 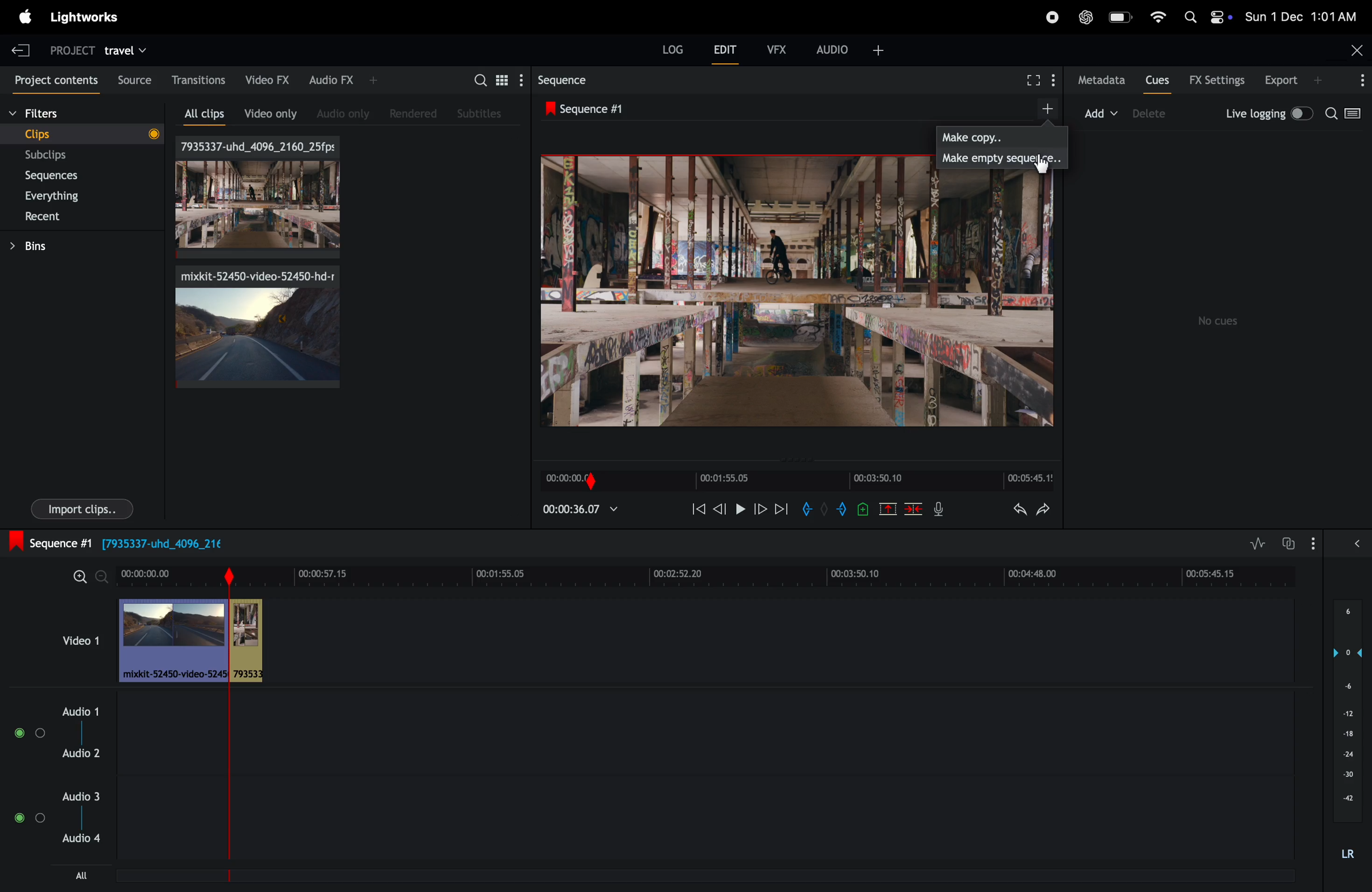 What do you see at coordinates (1158, 80) in the screenshot?
I see `cues` at bounding box center [1158, 80].